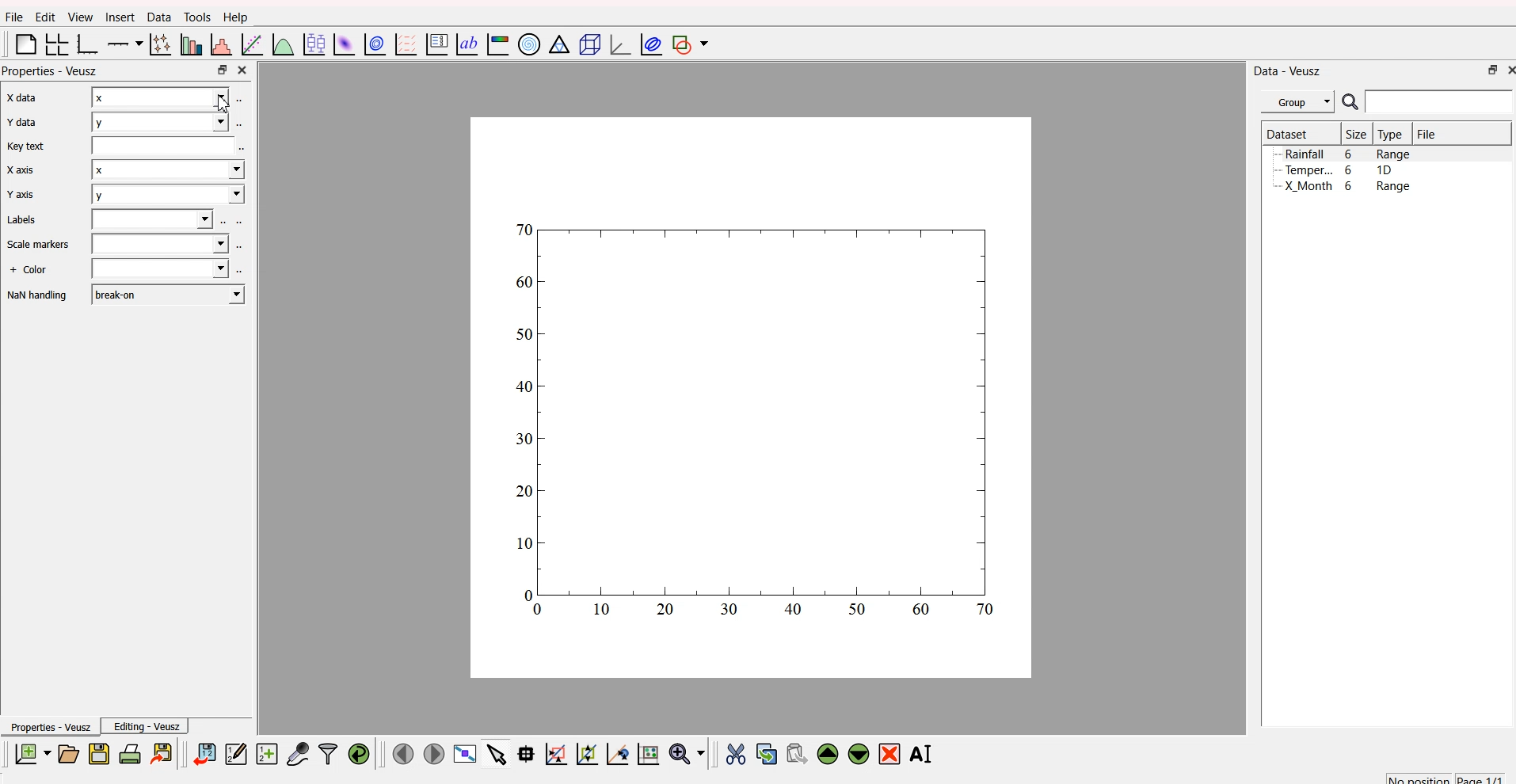  What do you see at coordinates (734, 753) in the screenshot?
I see `cut the widget` at bounding box center [734, 753].